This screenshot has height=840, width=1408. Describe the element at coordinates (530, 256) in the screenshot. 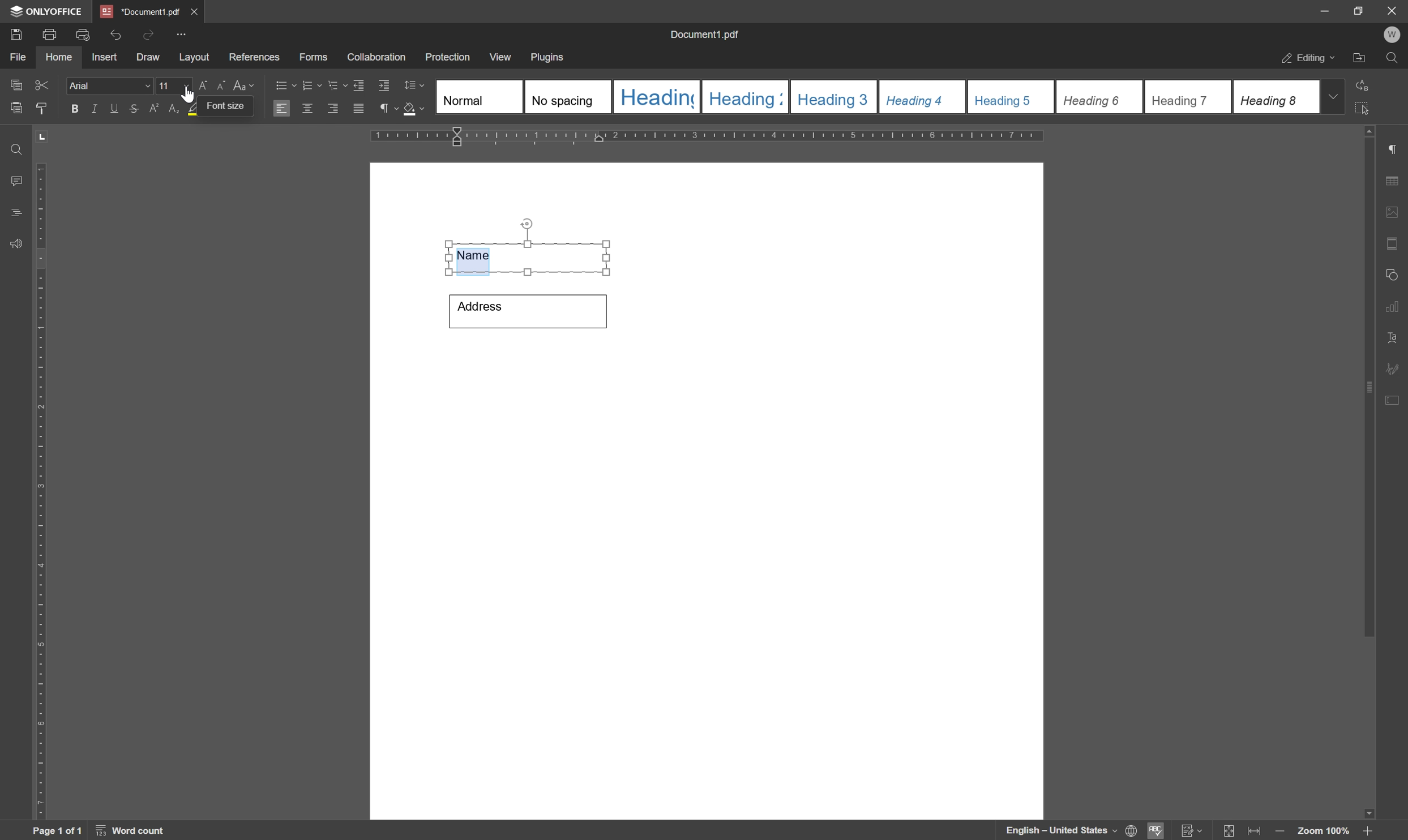

I see `Name` at that location.